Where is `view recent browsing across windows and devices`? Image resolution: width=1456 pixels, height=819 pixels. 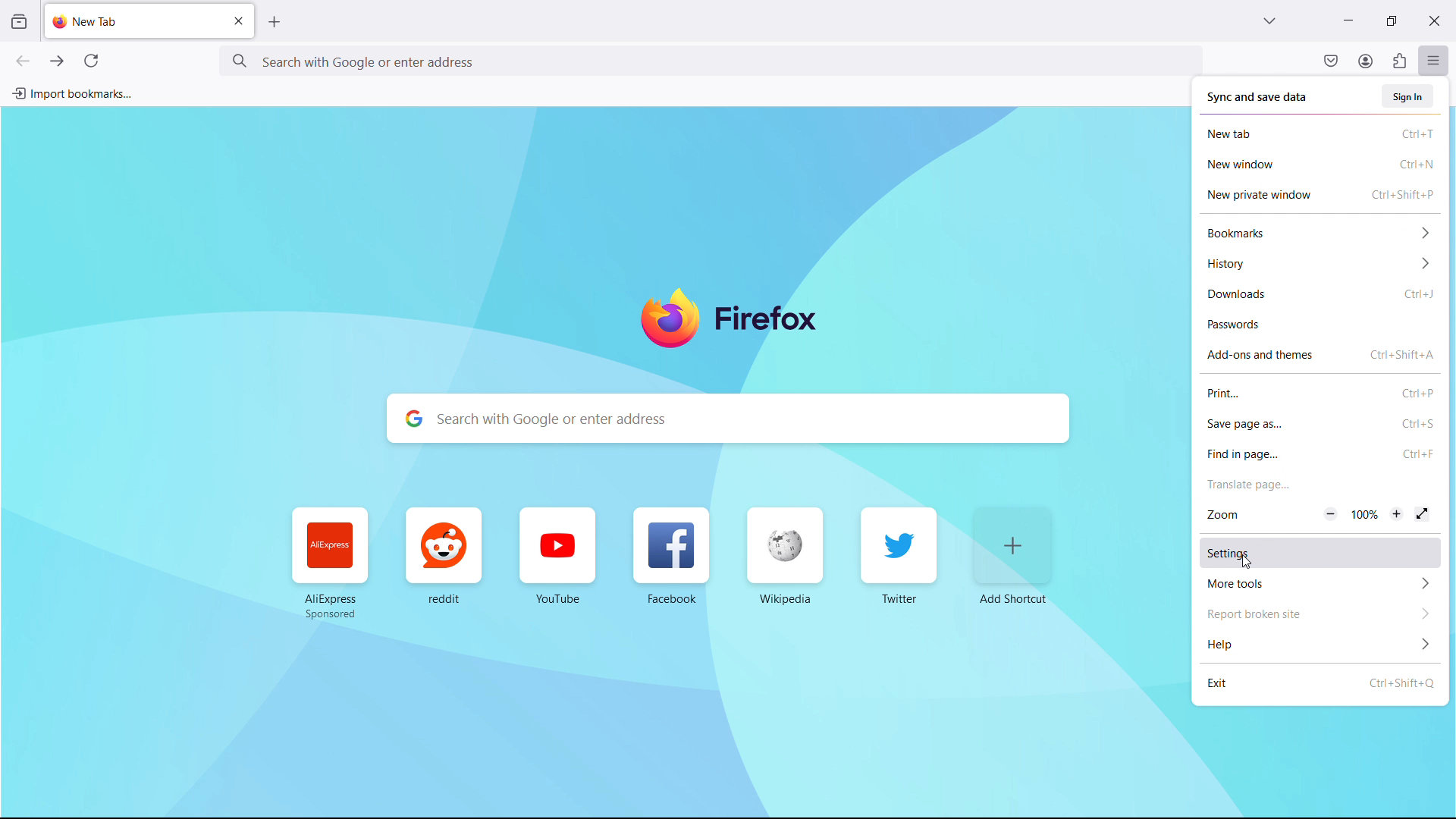 view recent browsing across windows and devices is located at coordinates (18, 22).